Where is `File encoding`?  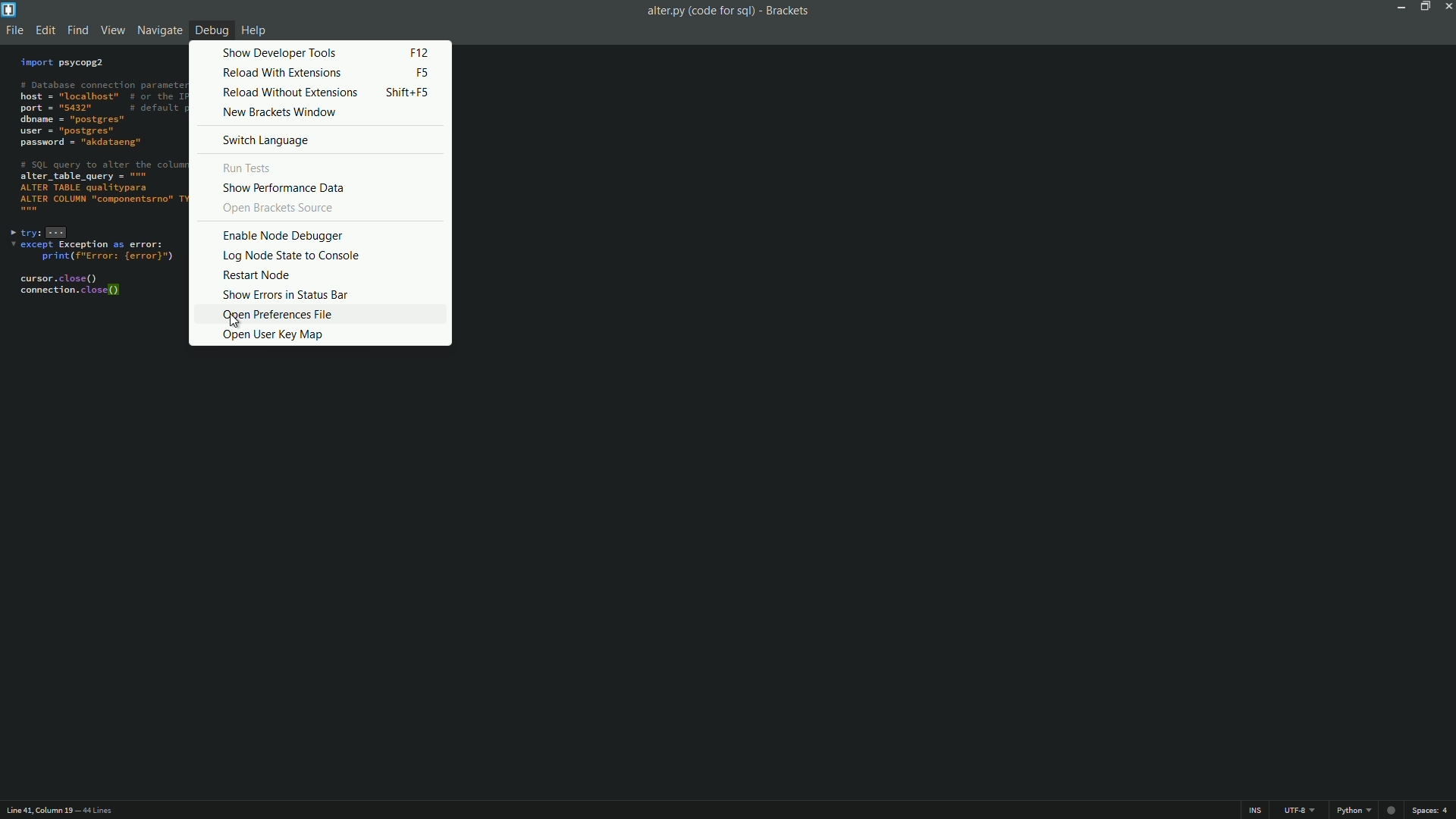 File encoding is located at coordinates (1302, 811).